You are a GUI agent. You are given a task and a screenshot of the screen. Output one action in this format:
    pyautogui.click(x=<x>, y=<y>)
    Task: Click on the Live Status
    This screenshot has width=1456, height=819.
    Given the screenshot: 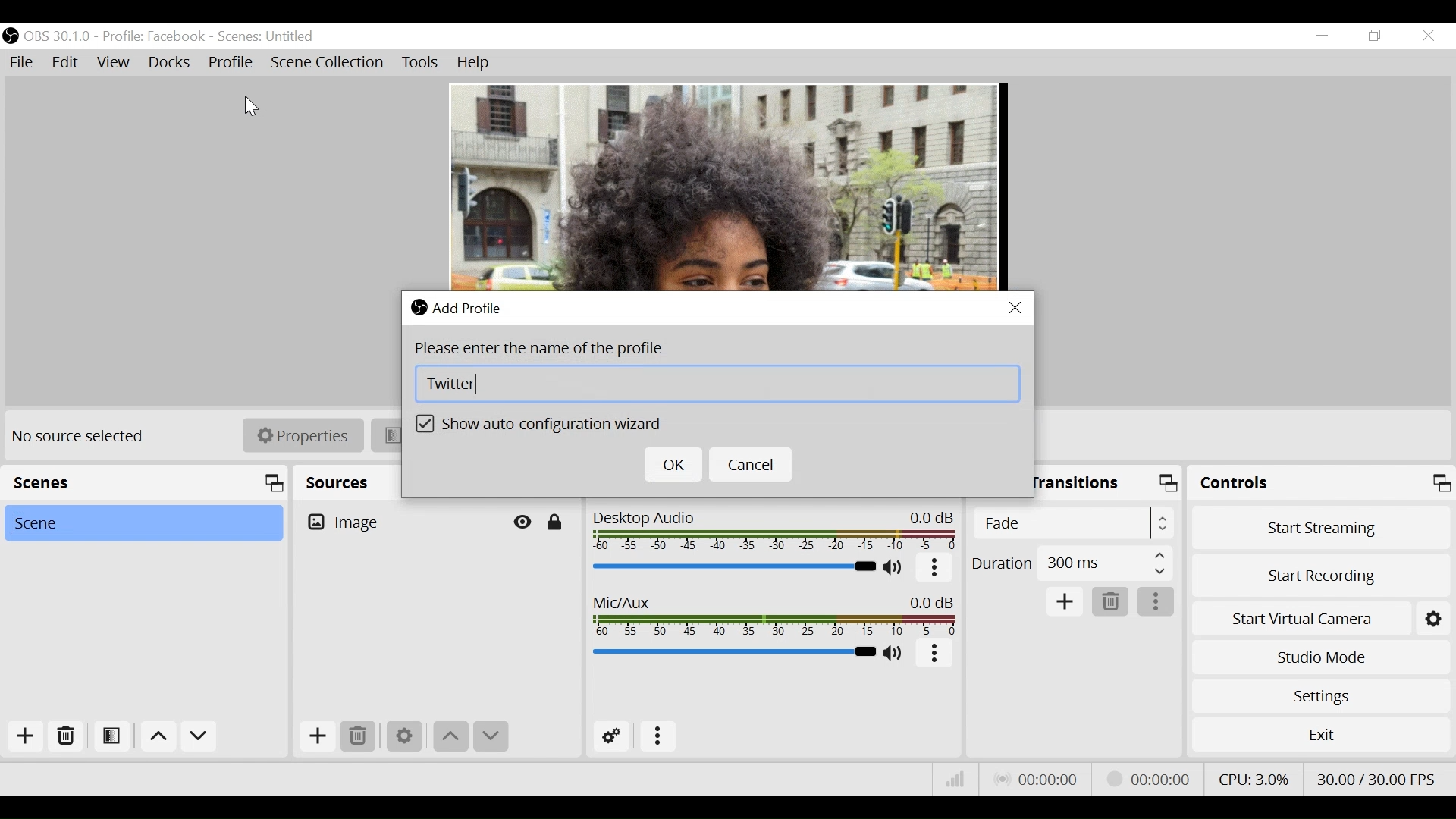 What is the action you would take?
    pyautogui.click(x=1040, y=778)
    